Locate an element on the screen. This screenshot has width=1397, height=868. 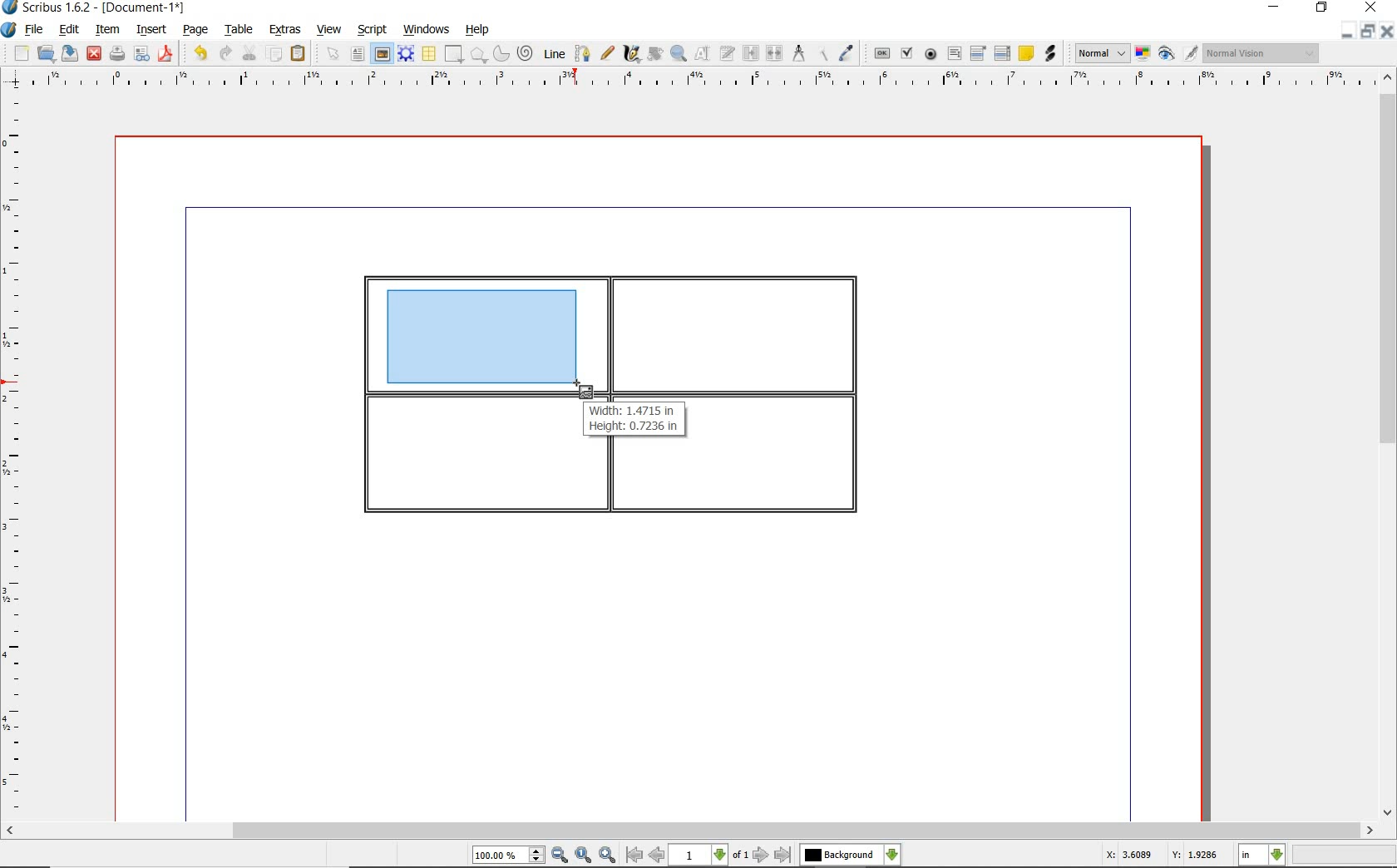
copy item properties is located at coordinates (822, 54).